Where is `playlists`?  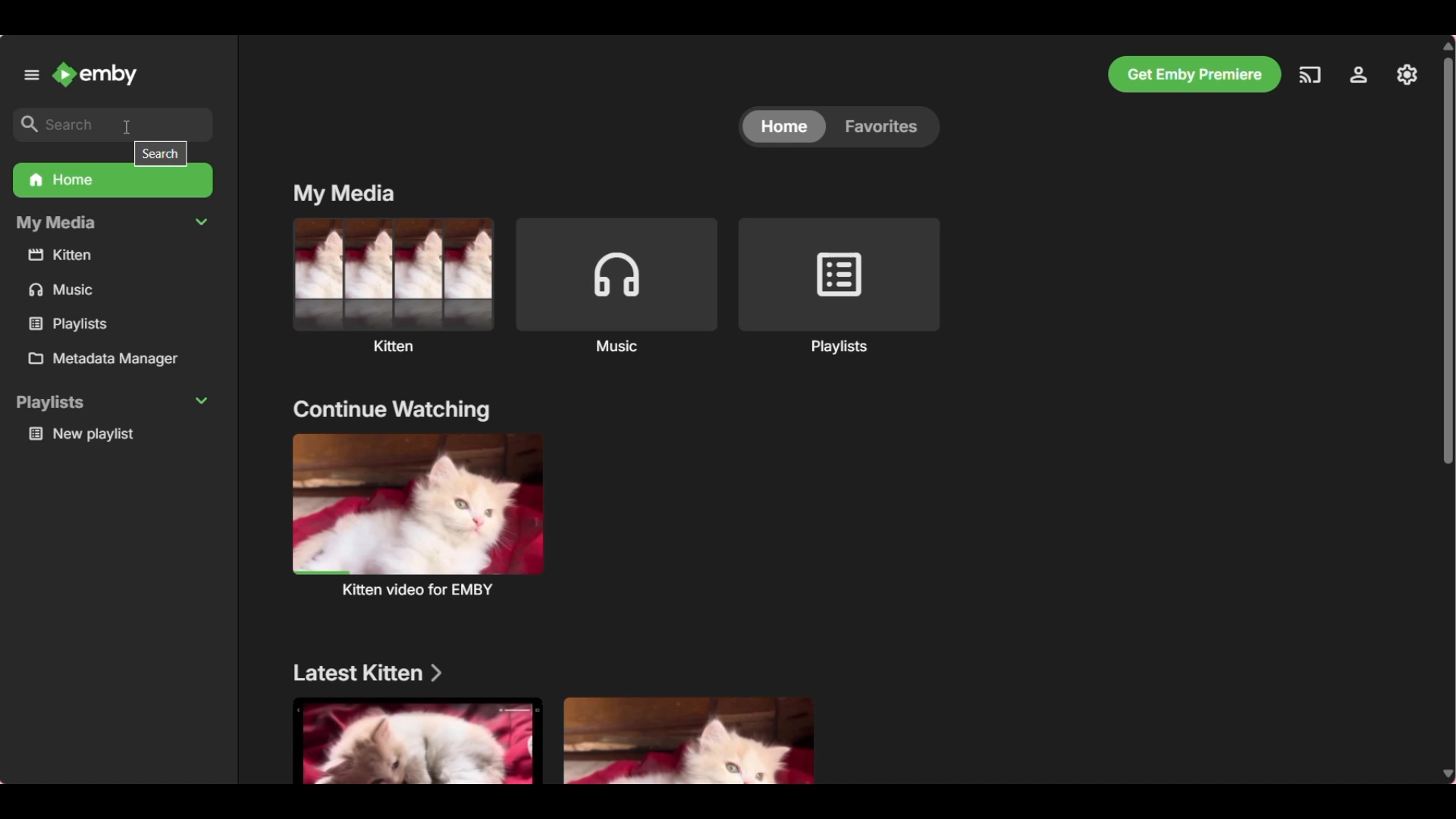 playlists is located at coordinates (106, 323).